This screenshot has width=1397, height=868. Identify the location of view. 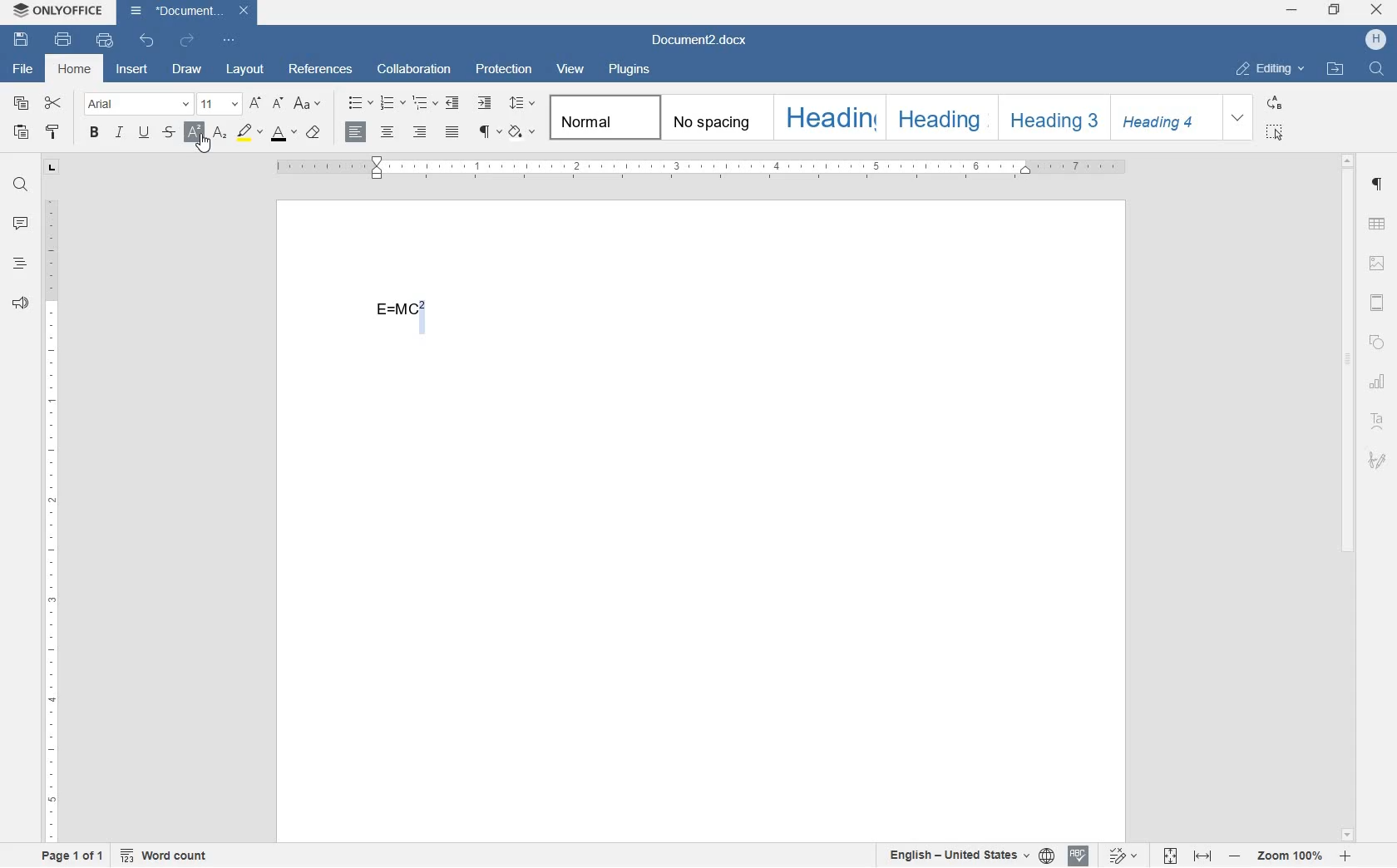
(573, 69).